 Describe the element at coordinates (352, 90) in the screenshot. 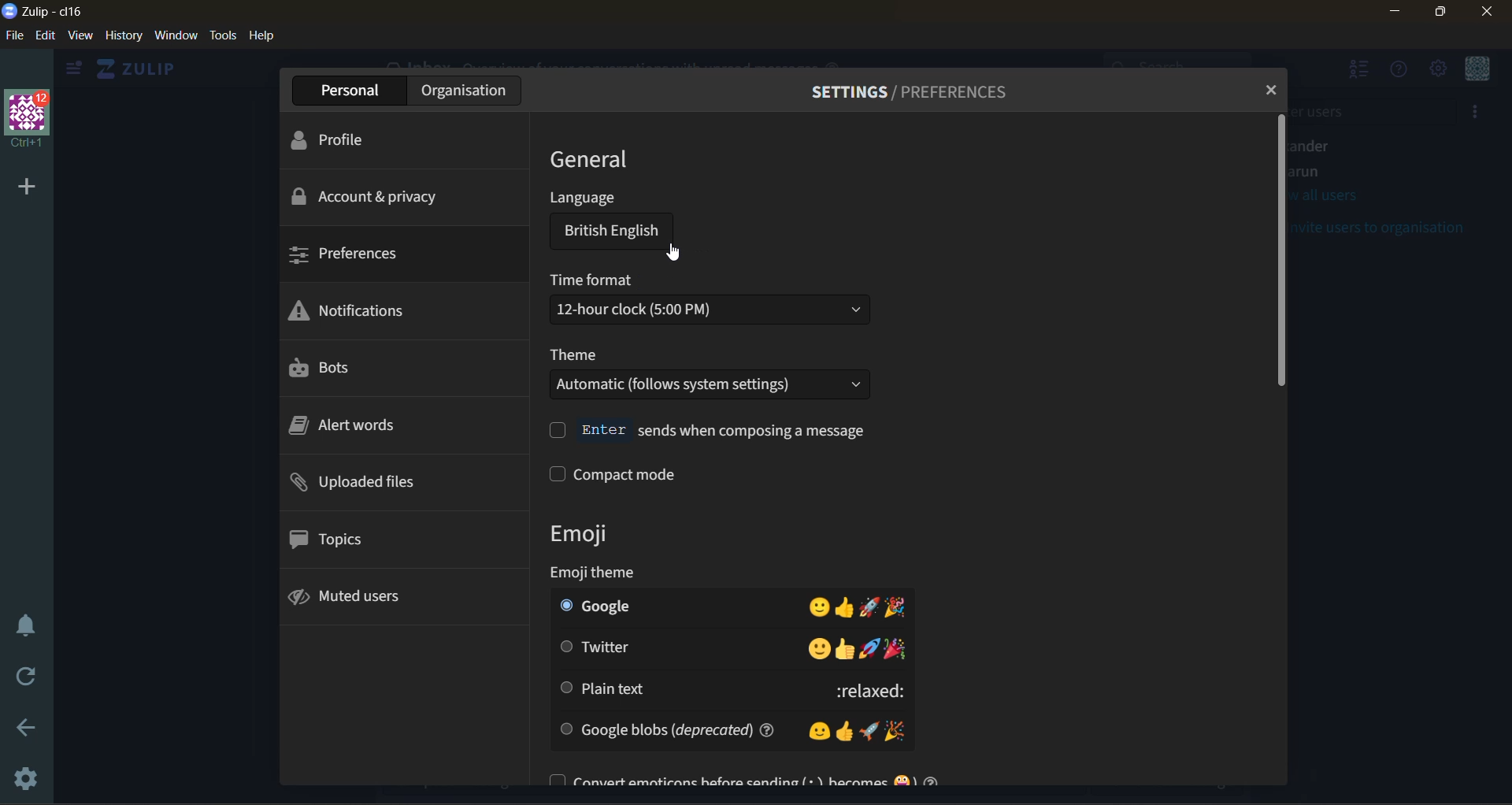

I see `personal` at that location.